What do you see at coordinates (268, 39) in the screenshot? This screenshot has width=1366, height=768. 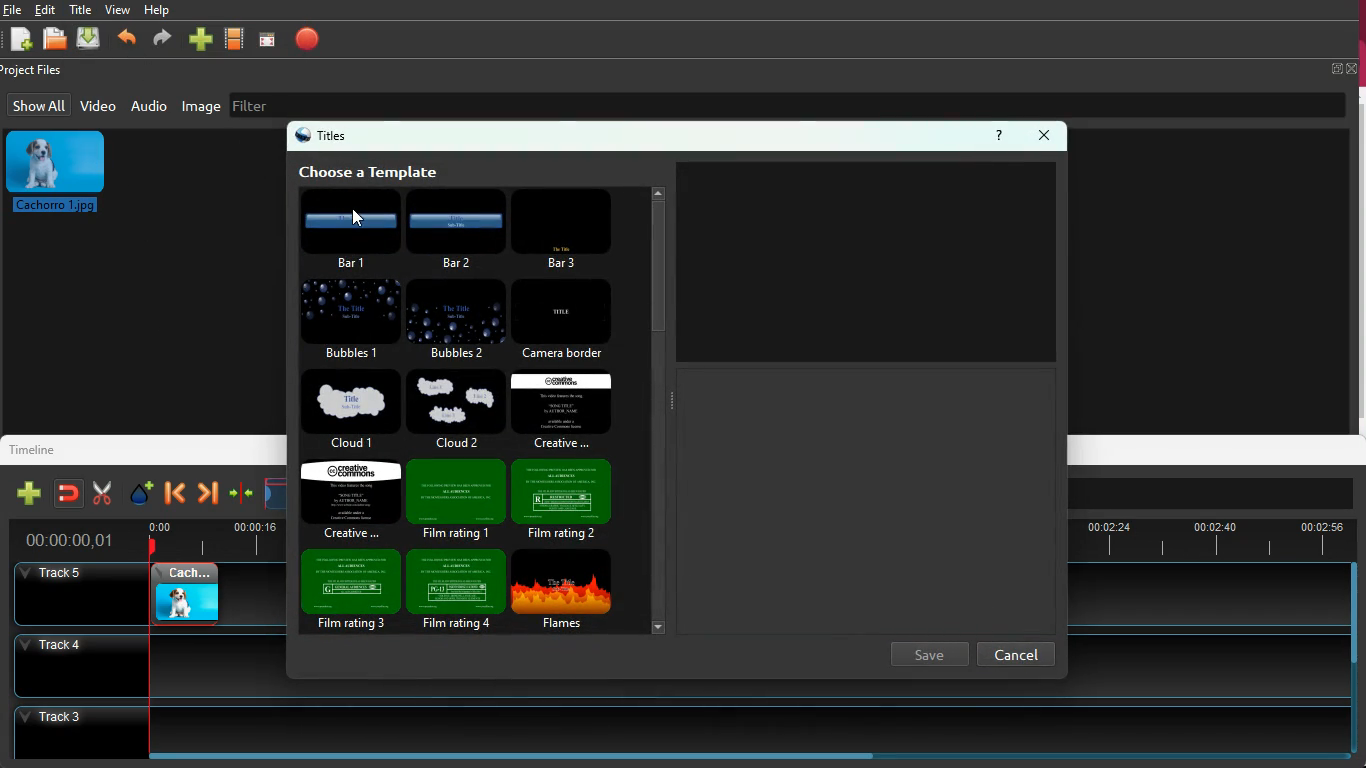 I see `focus` at bounding box center [268, 39].